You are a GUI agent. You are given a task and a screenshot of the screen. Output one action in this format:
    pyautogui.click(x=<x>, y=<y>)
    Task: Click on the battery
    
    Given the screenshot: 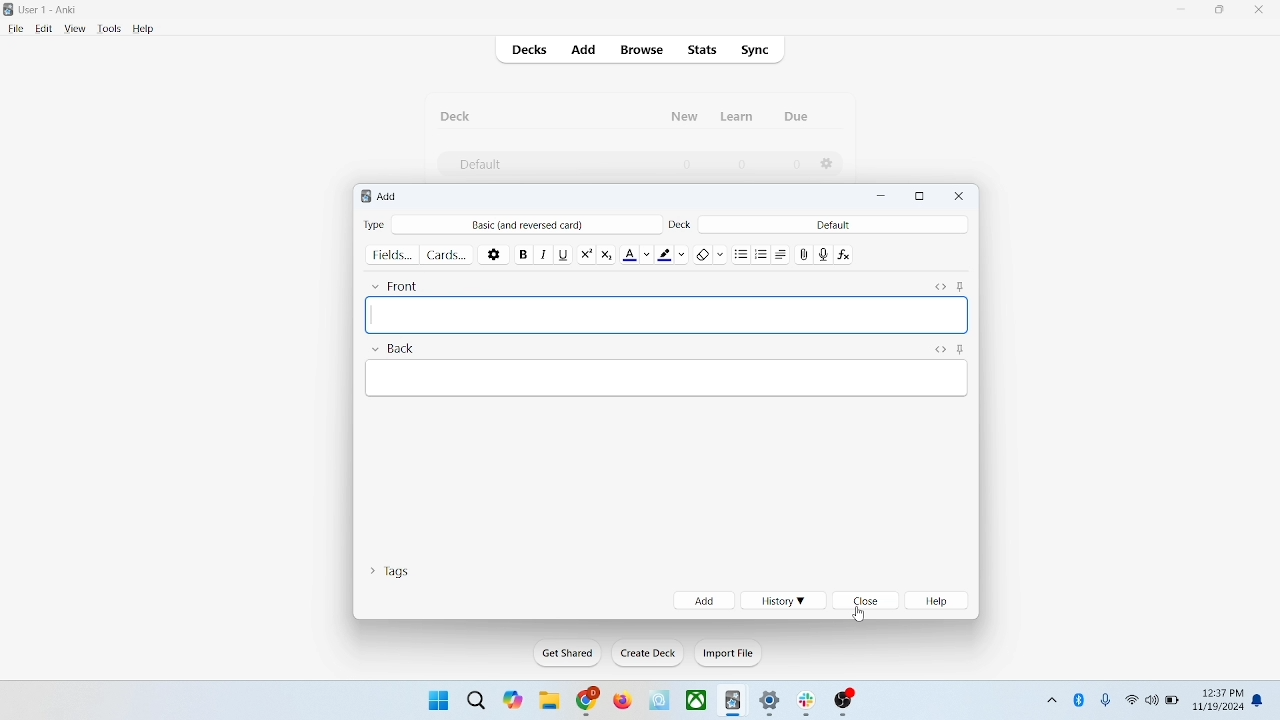 What is the action you would take?
    pyautogui.click(x=1173, y=702)
    